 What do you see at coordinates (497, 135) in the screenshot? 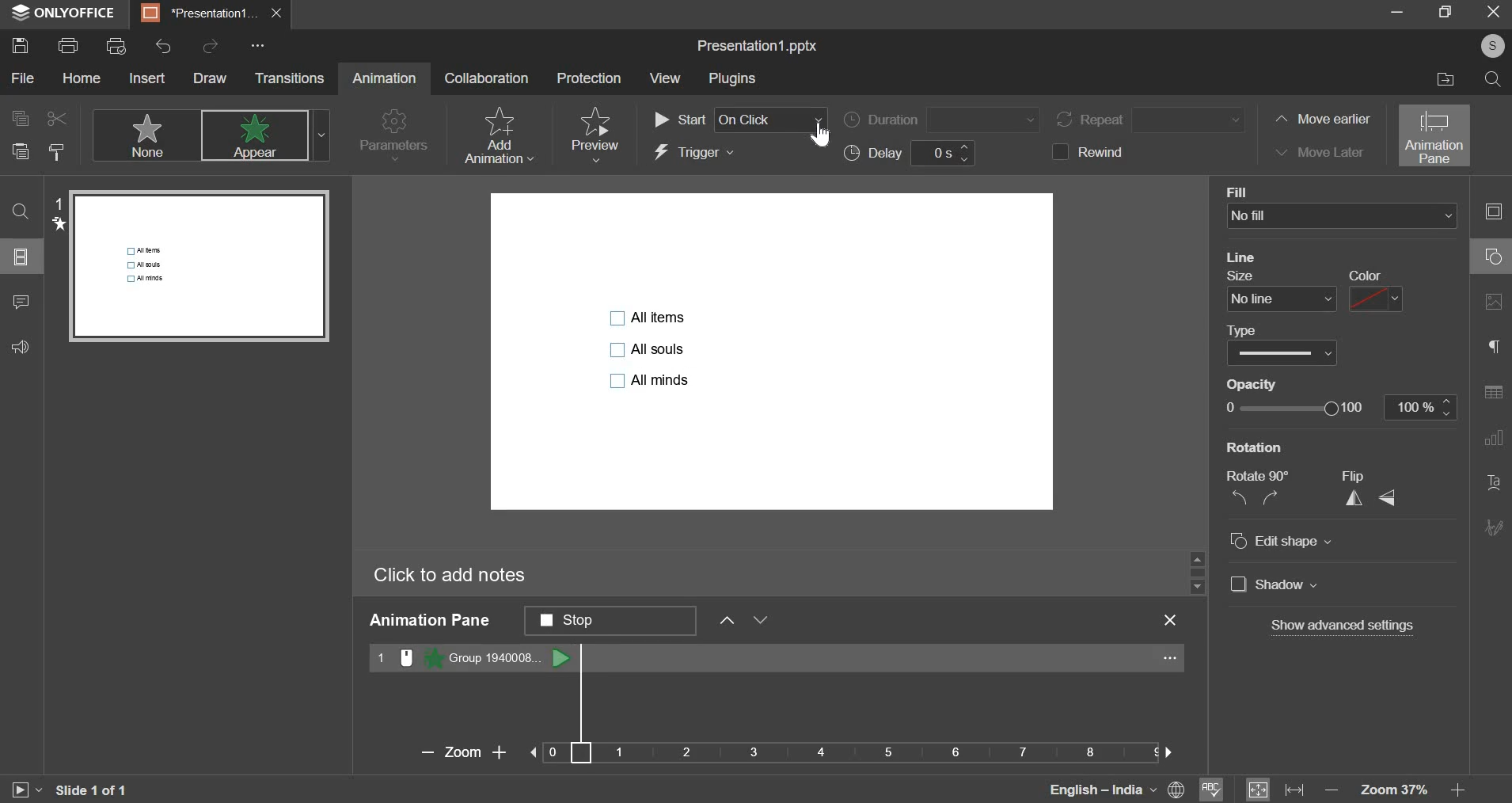
I see `add animation` at bounding box center [497, 135].